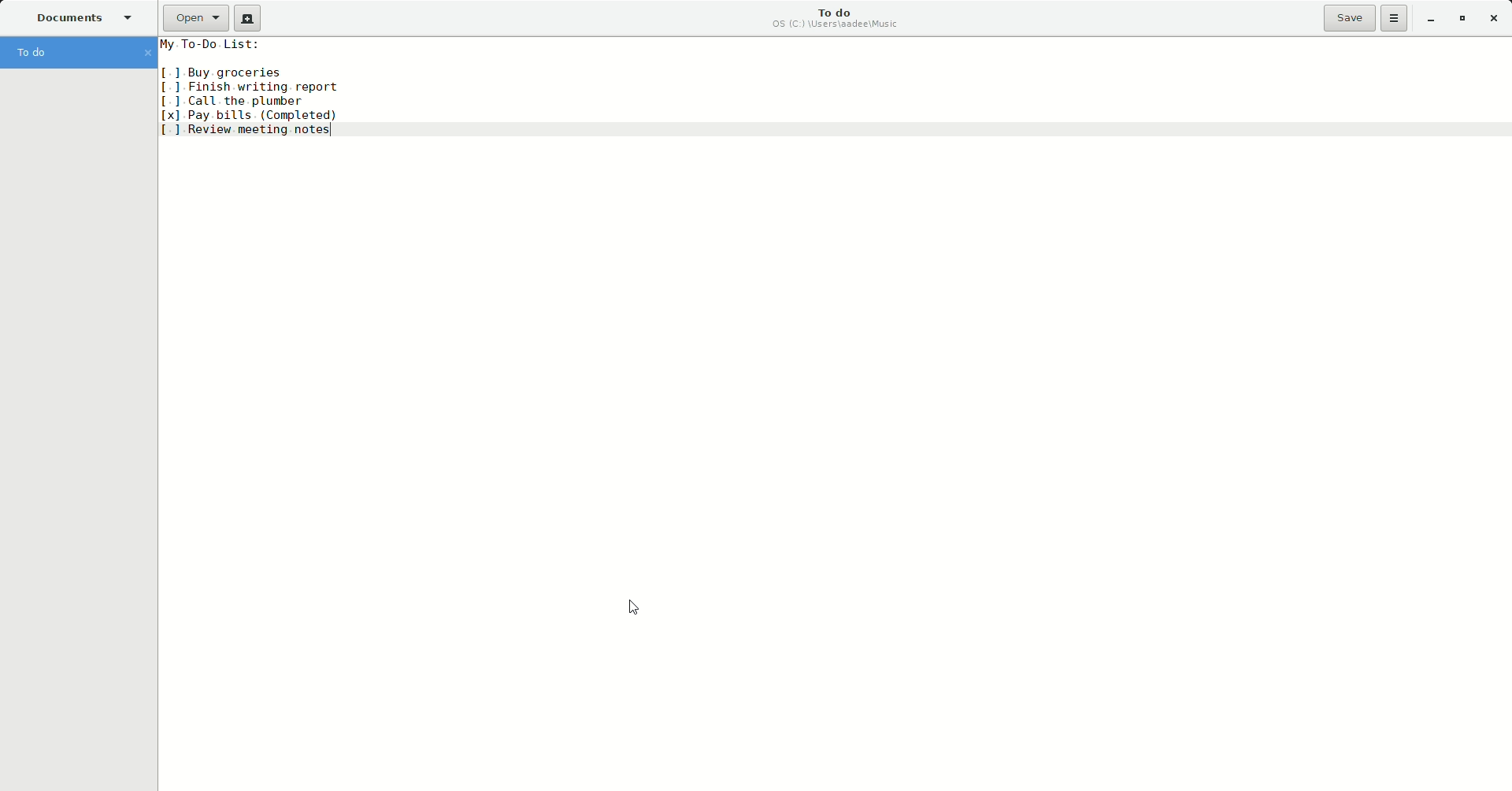 Image resolution: width=1512 pixels, height=791 pixels. Describe the element at coordinates (1489, 17) in the screenshot. I see `Close` at that location.